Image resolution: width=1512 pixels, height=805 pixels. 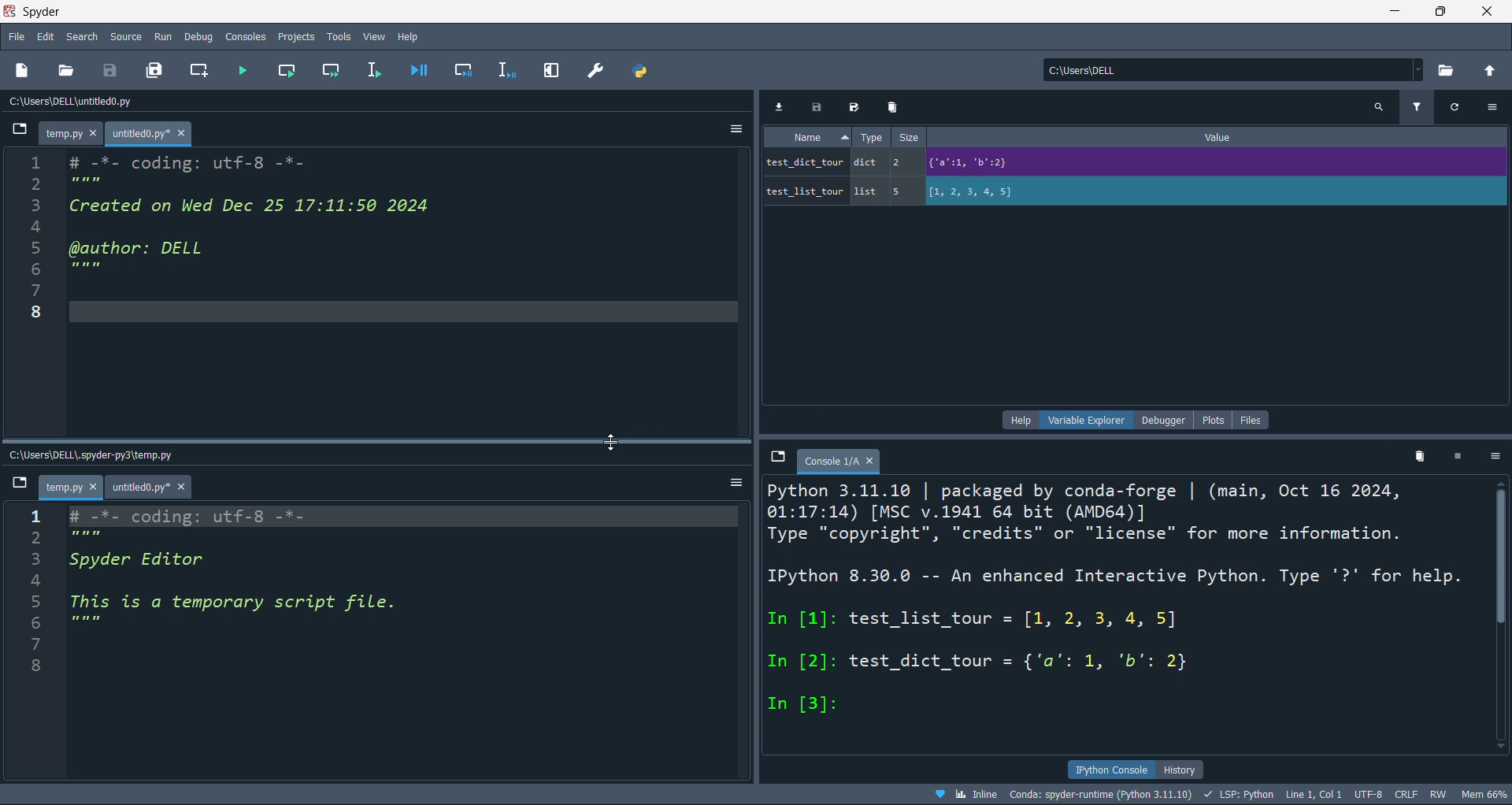 What do you see at coordinates (332, 72) in the screenshot?
I see `run cell and move` at bounding box center [332, 72].